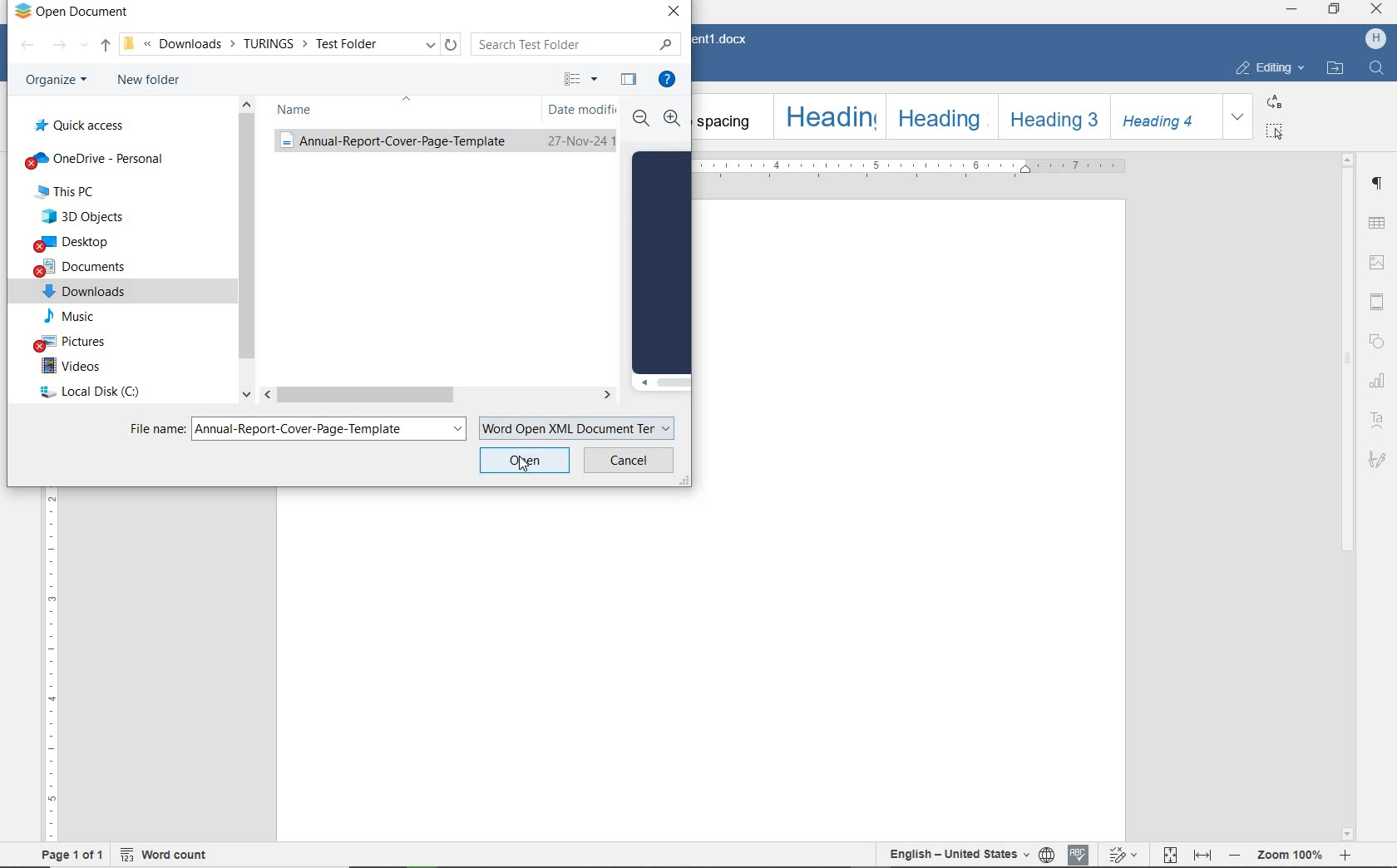 Image resolution: width=1397 pixels, height=868 pixels. What do you see at coordinates (1377, 422) in the screenshot?
I see `text art` at bounding box center [1377, 422].